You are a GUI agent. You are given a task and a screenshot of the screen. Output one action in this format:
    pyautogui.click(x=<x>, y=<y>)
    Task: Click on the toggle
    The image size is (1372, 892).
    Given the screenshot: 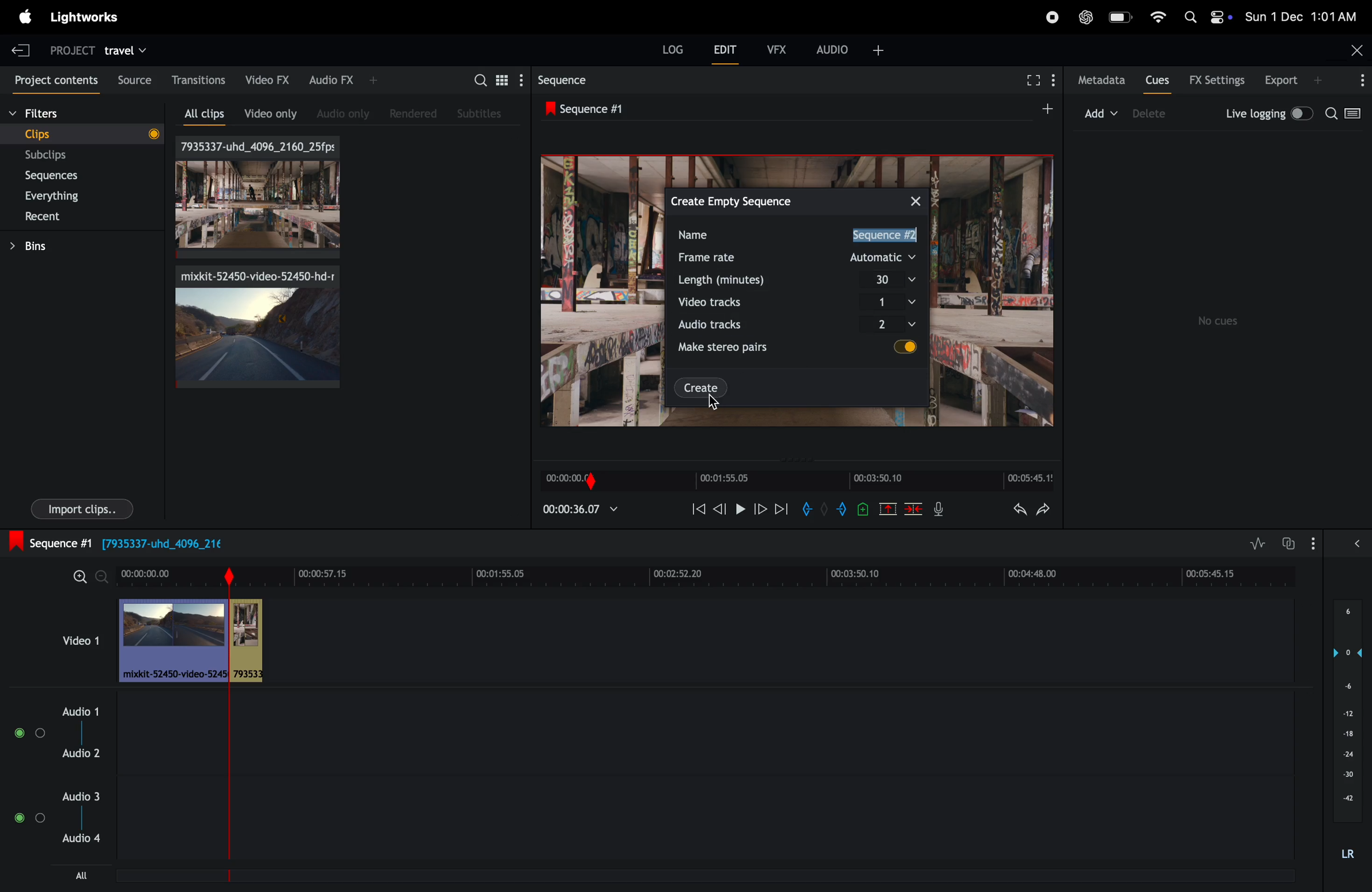 What is the action you would take?
    pyautogui.click(x=910, y=348)
    